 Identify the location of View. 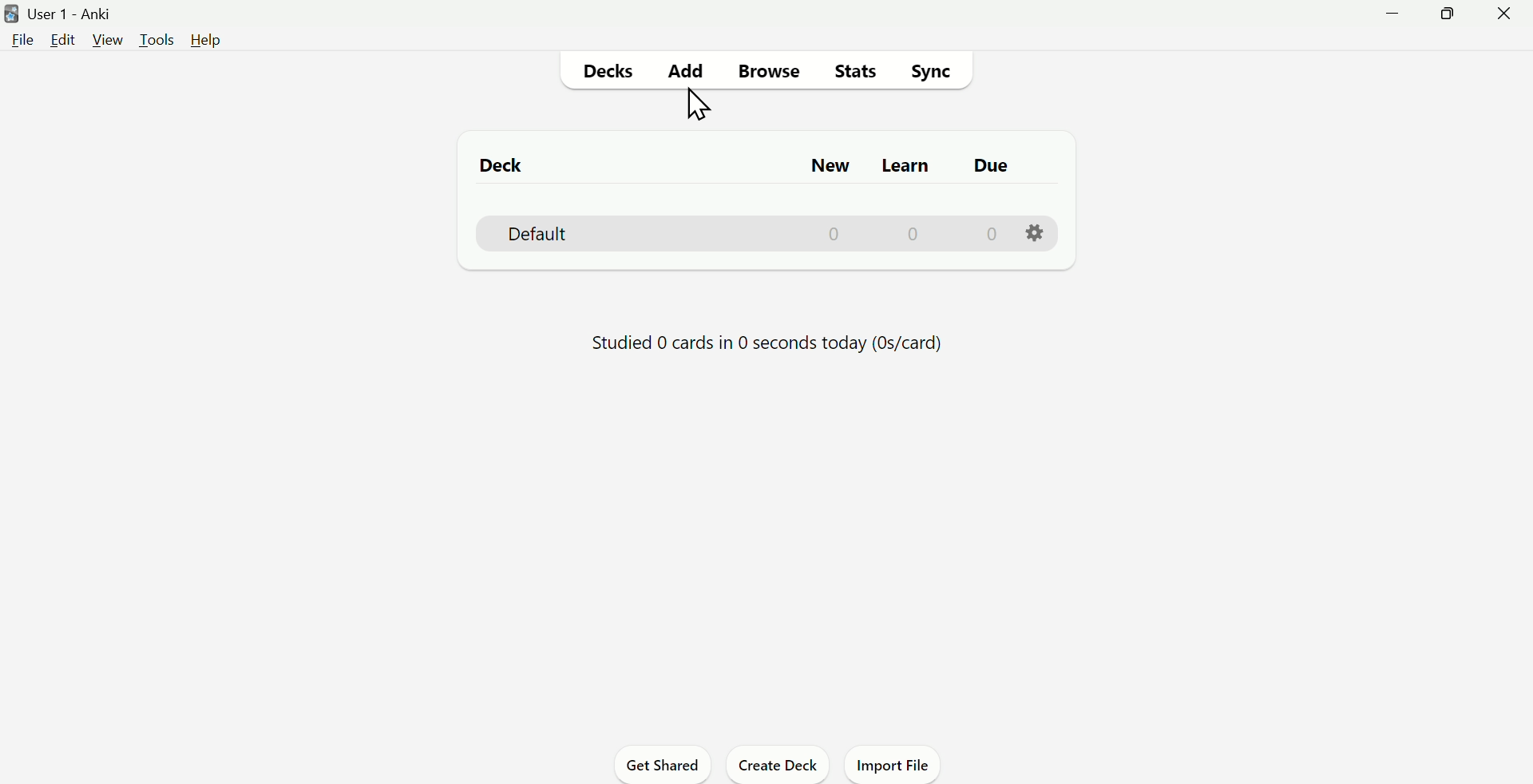
(105, 41).